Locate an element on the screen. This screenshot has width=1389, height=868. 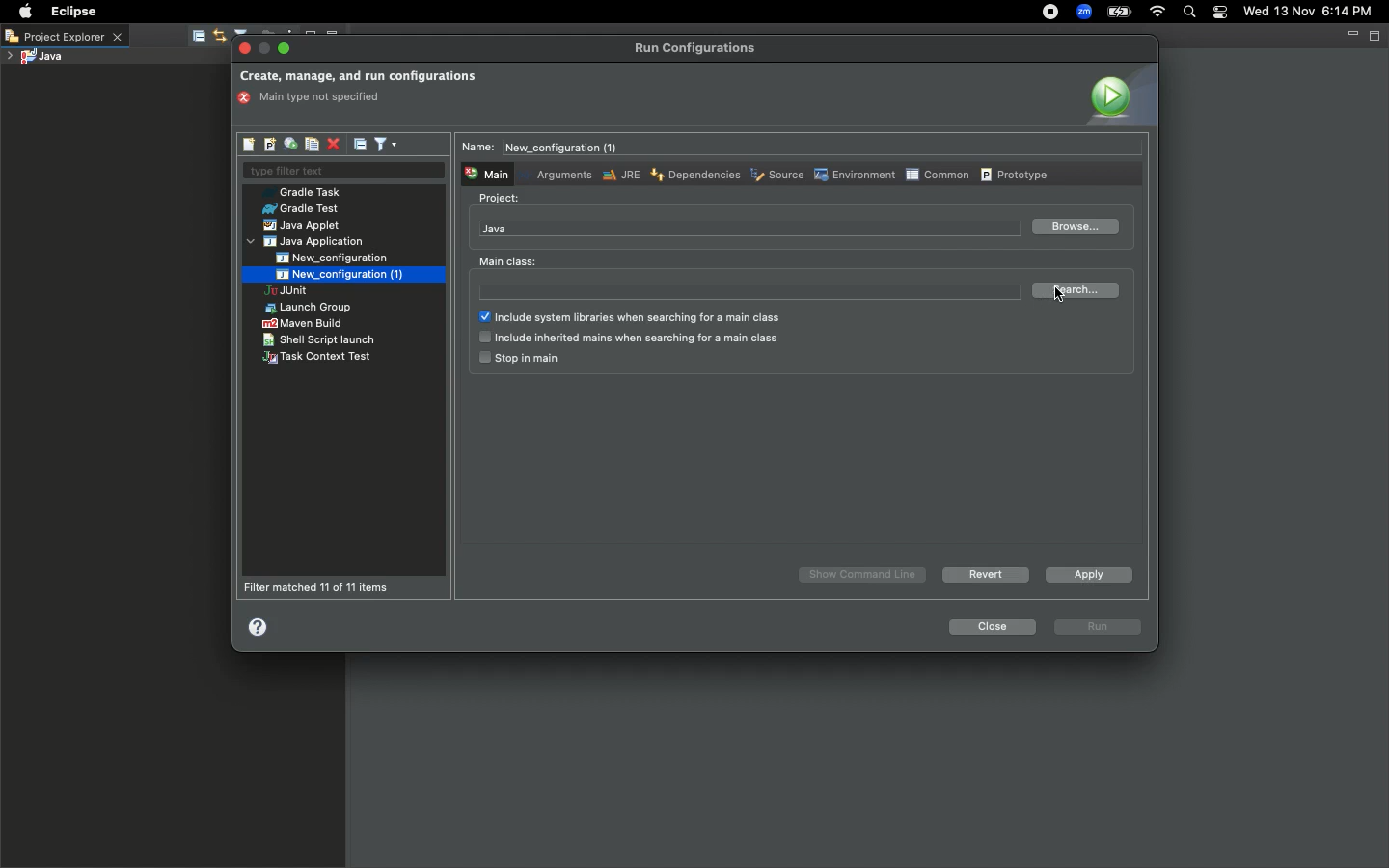
Minimize is located at coordinates (1351, 34).